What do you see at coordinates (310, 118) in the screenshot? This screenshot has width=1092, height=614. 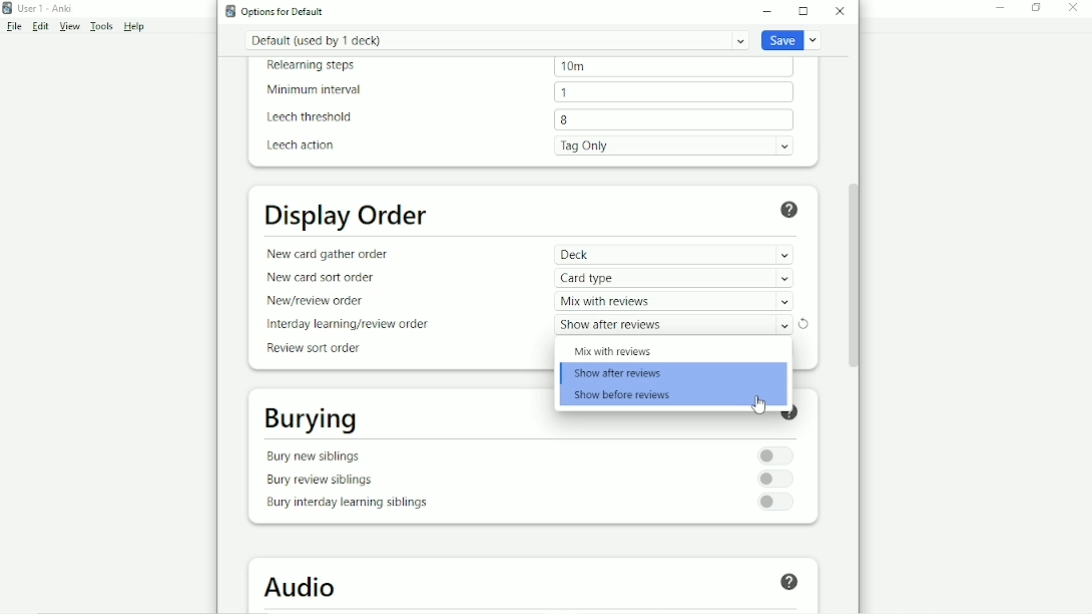 I see `Leech threshold` at bounding box center [310, 118].